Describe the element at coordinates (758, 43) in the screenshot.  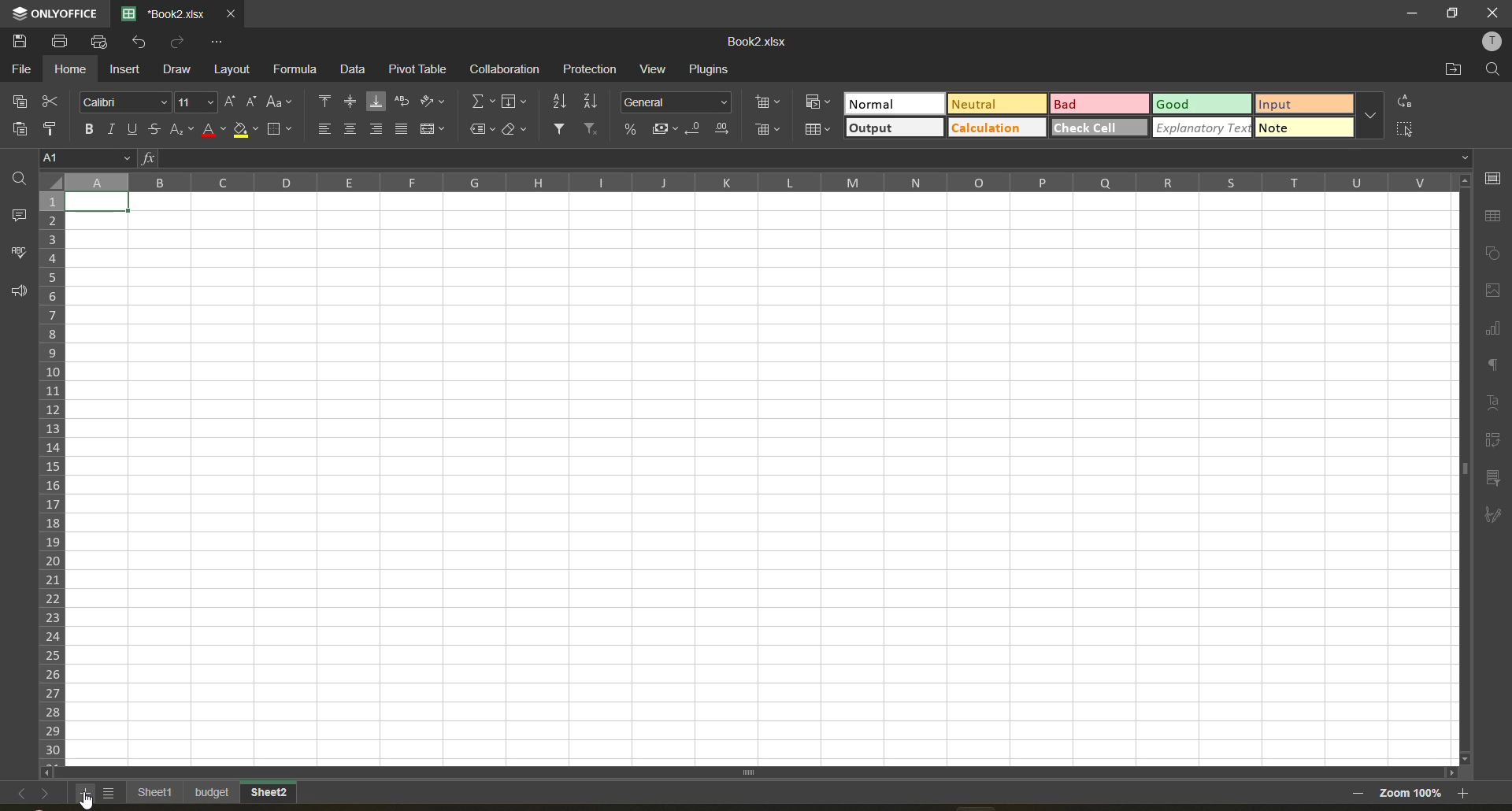
I see `file name` at that location.